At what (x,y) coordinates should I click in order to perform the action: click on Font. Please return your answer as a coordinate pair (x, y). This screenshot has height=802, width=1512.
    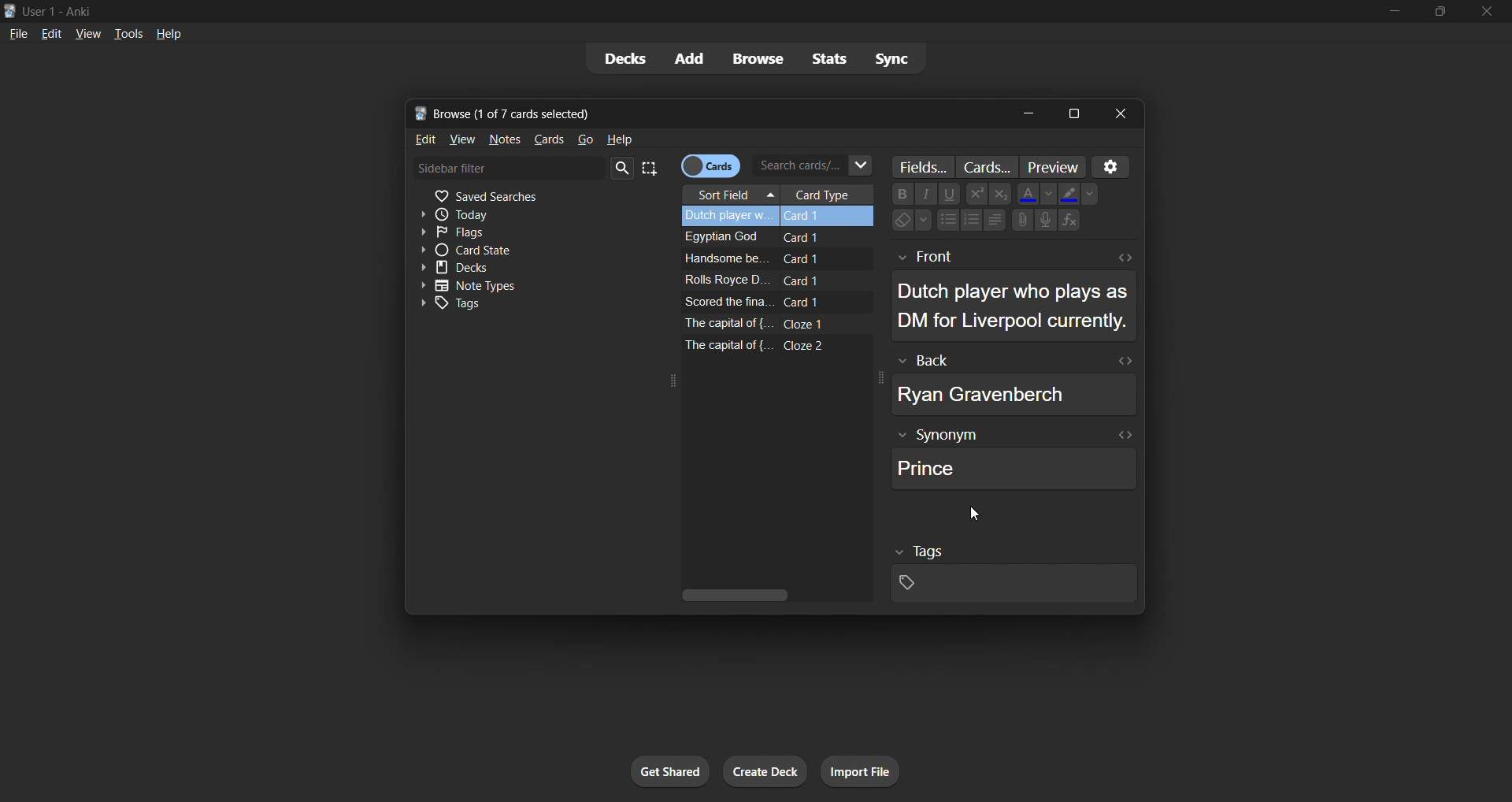
    Looking at the image, I should click on (928, 193).